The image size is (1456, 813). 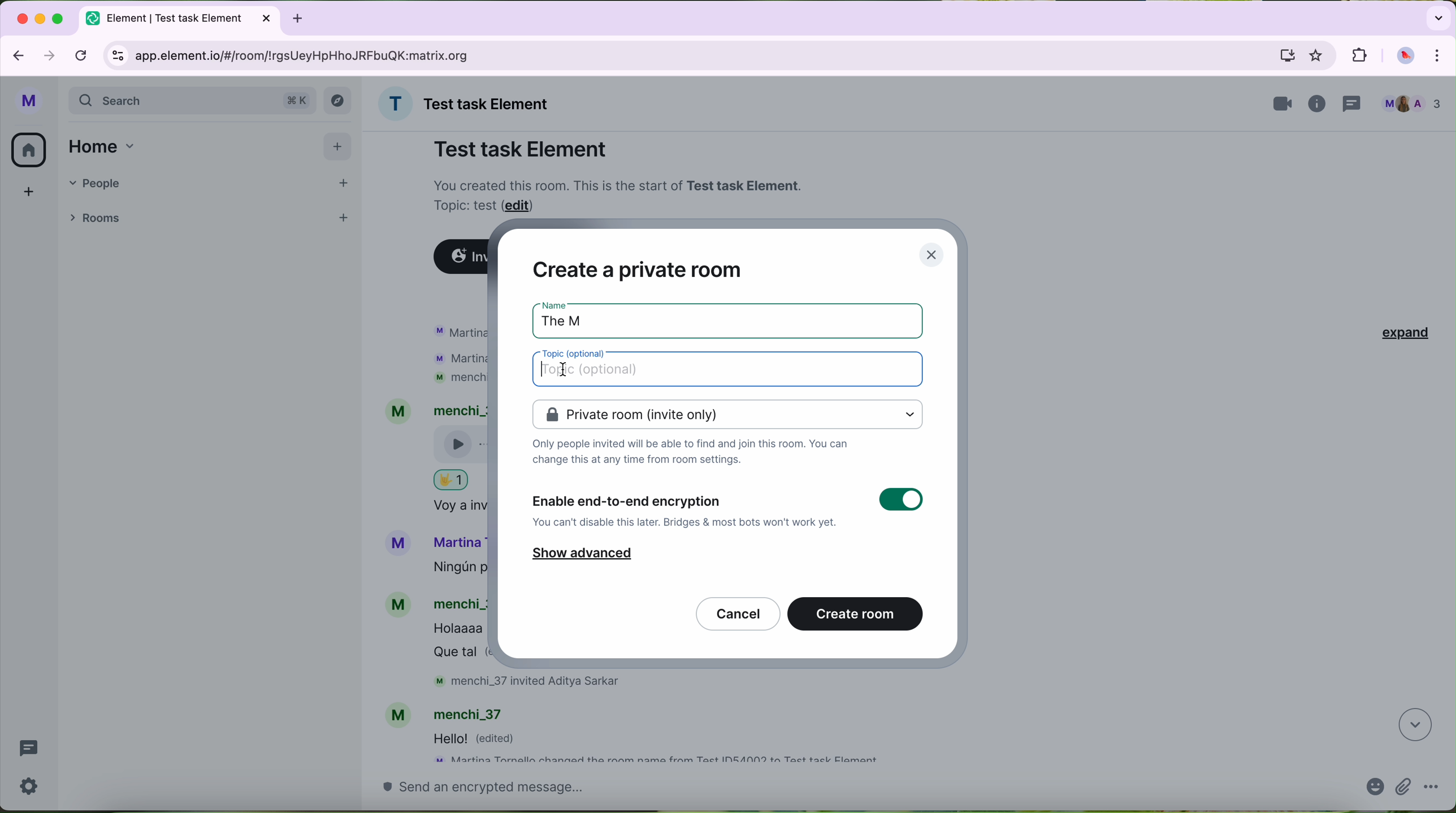 I want to click on click on topic, so click(x=731, y=371).